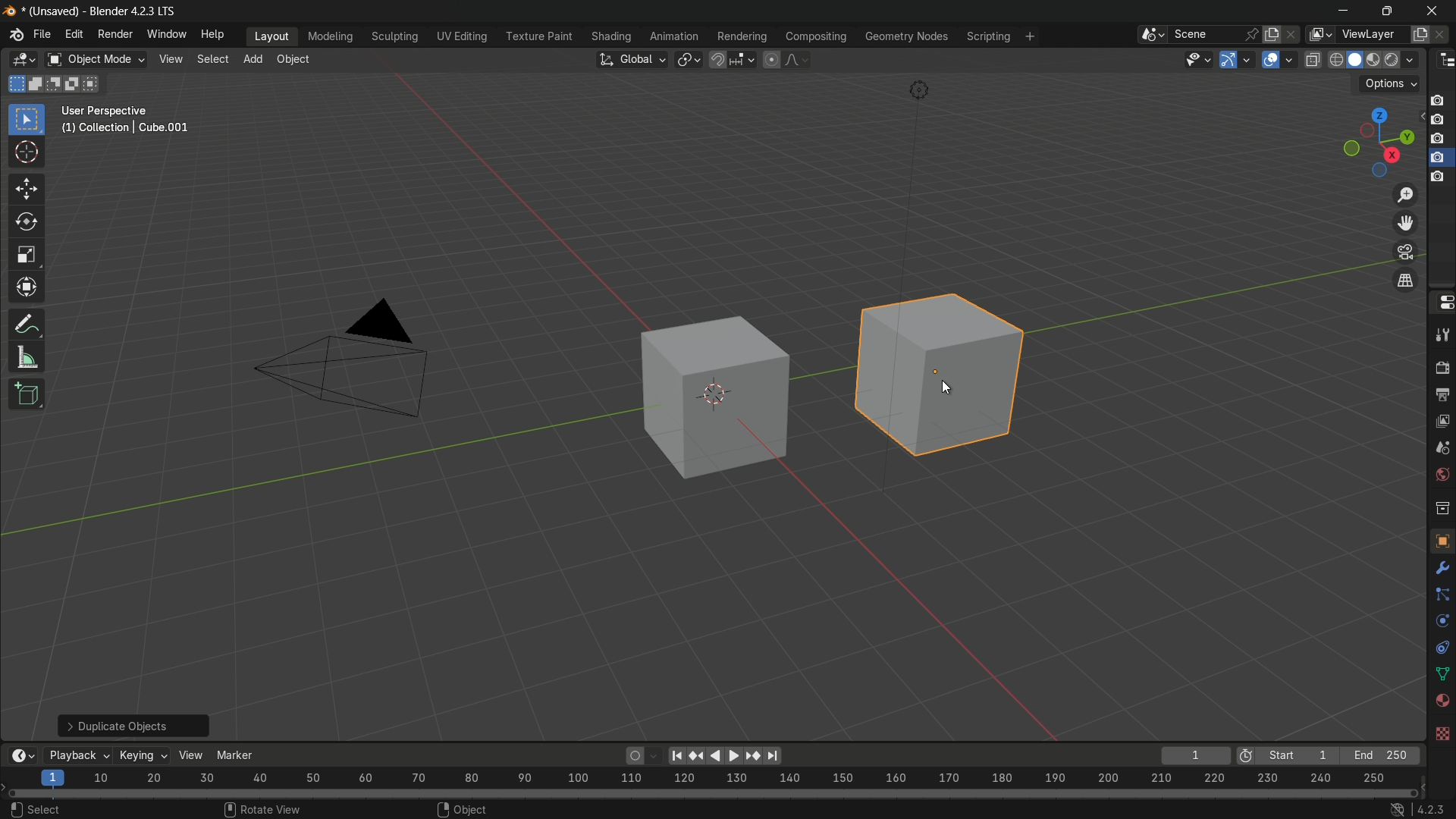 Image resolution: width=1456 pixels, height=819 pixels. What do you see at coordinates (458, 36) in the screenshot?
I see `uv editing menu` at bounding box center [458, 36].